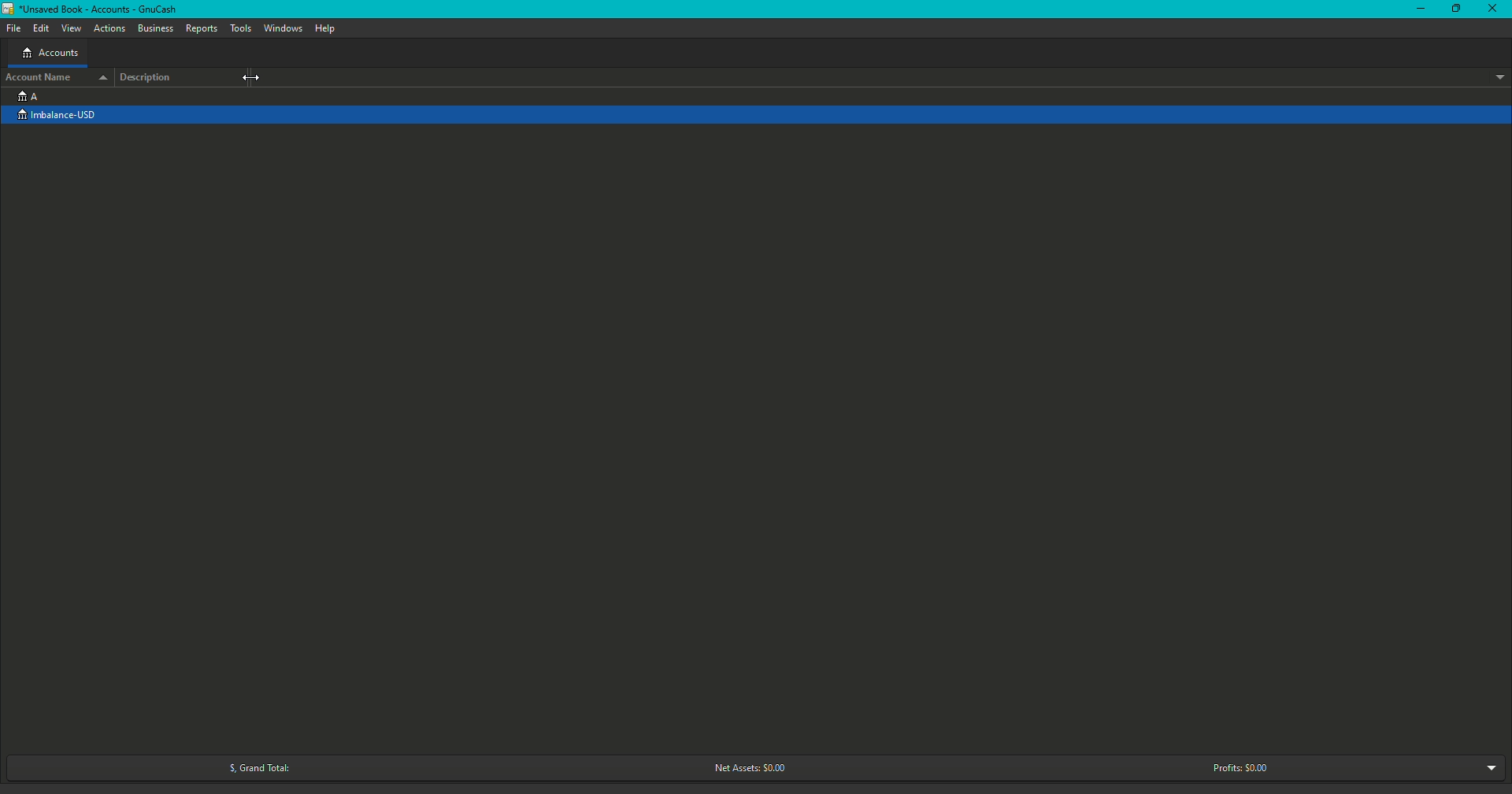  What do you see at coordinates (17, 28) in the screenshot?
I see `File` at bounding box center [17, 28].